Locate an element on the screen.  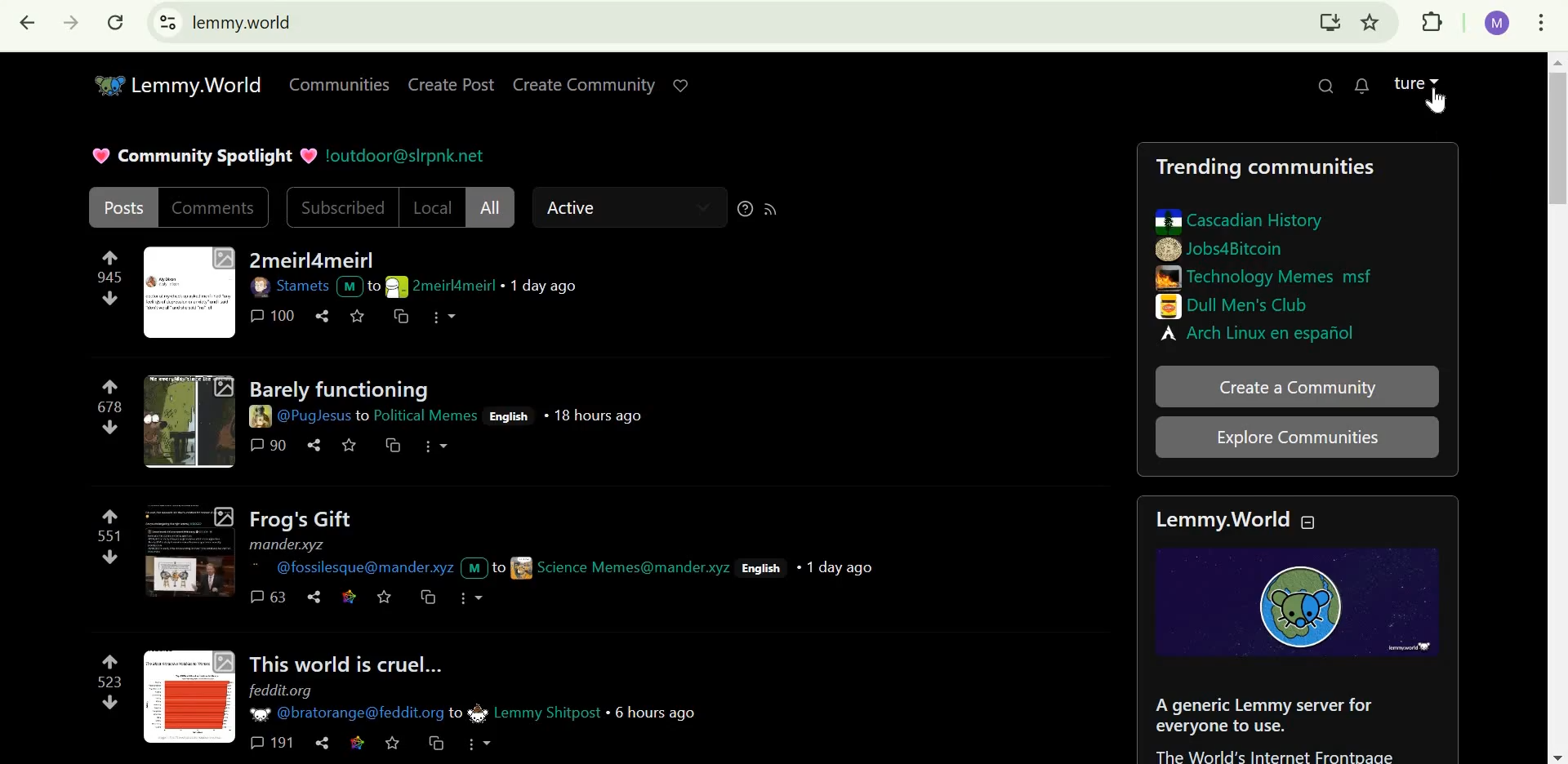
user ID is located at coordinates (376, 567).